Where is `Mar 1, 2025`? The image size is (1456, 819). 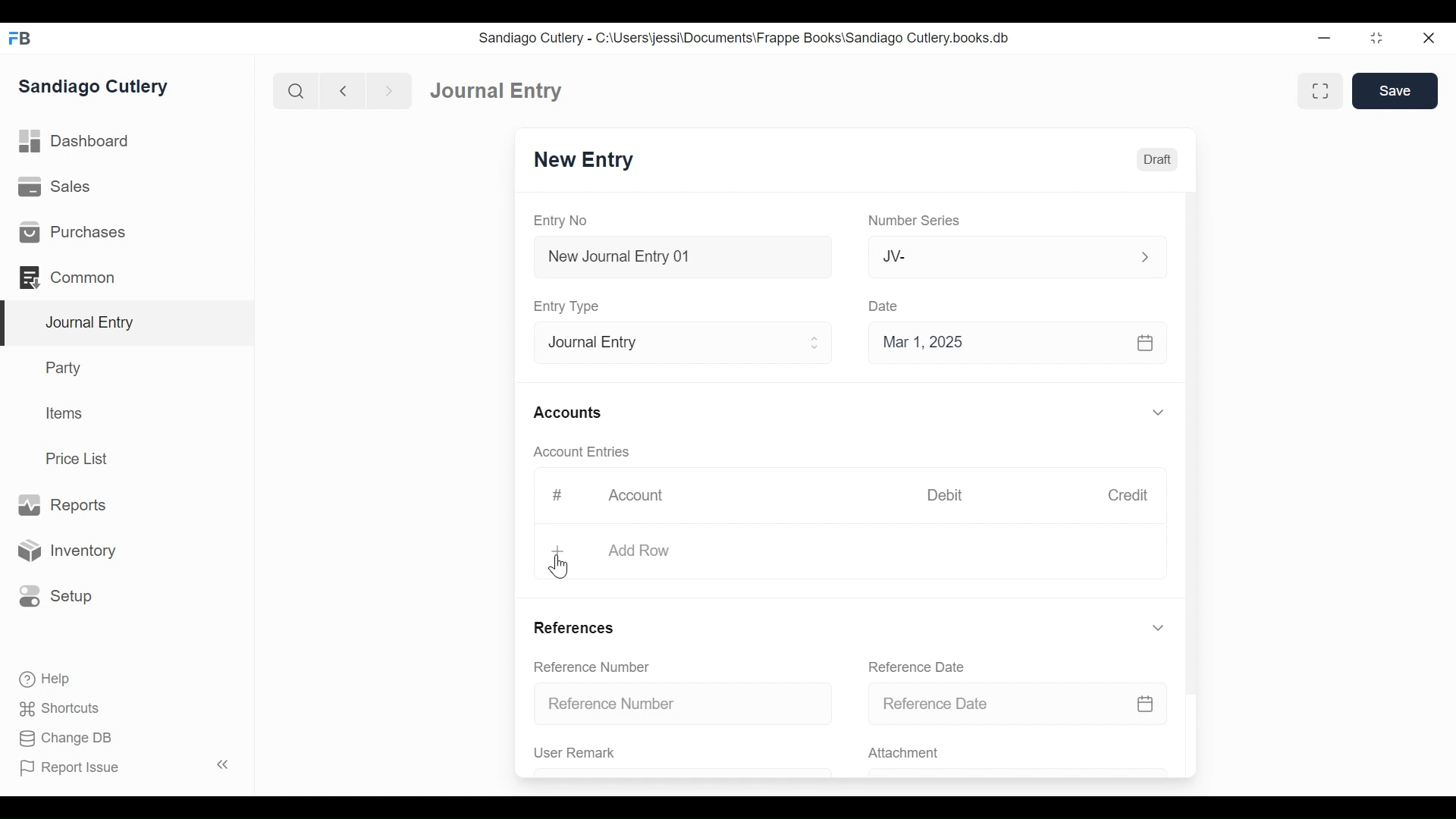
Mar 1, 2025 is located at coordinates (1018, 341).